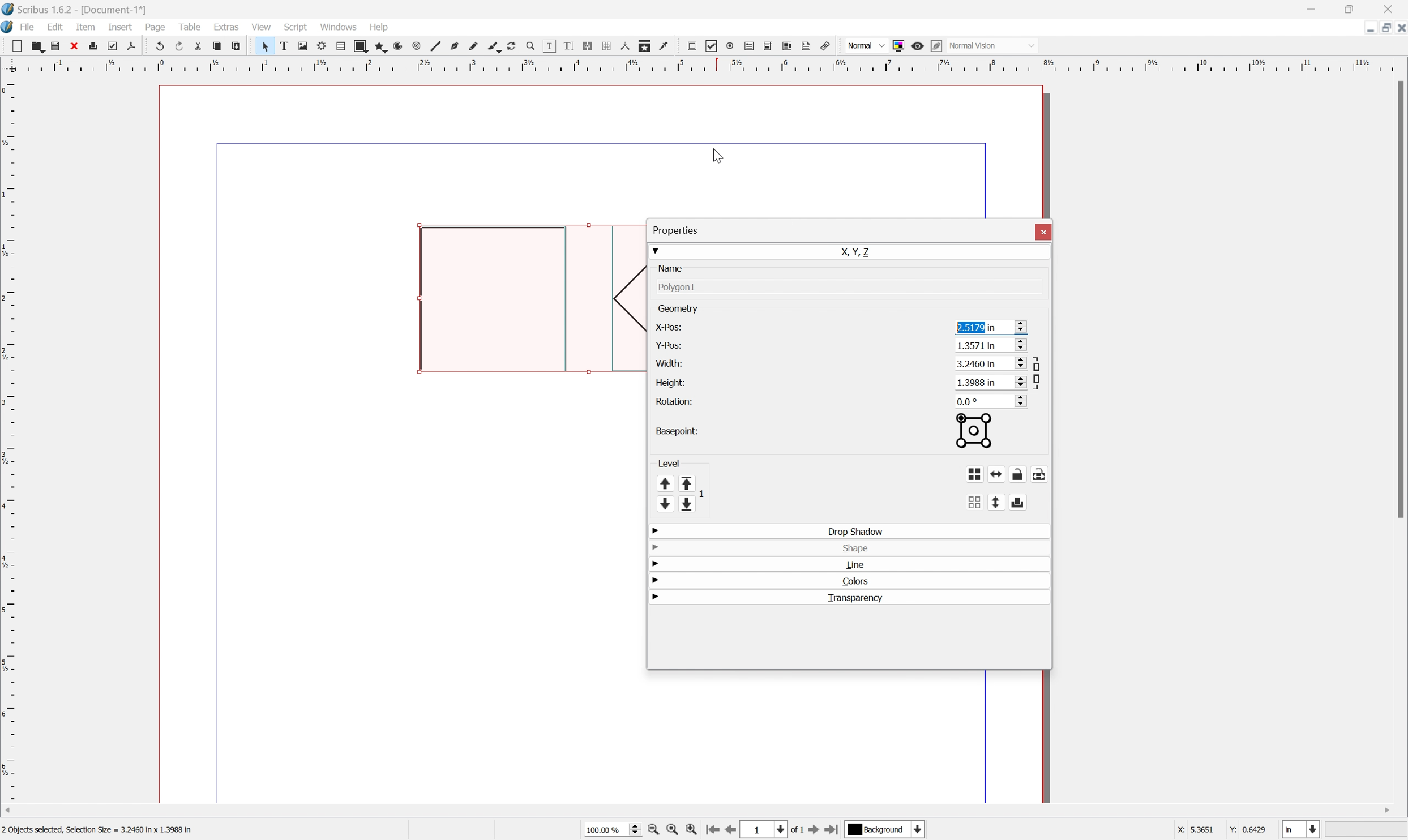 The width and height of the screenshot is (1408, 840). Describe the element at coordinates (670, 344) in the screenshot. I see `y-pos:` at that location.